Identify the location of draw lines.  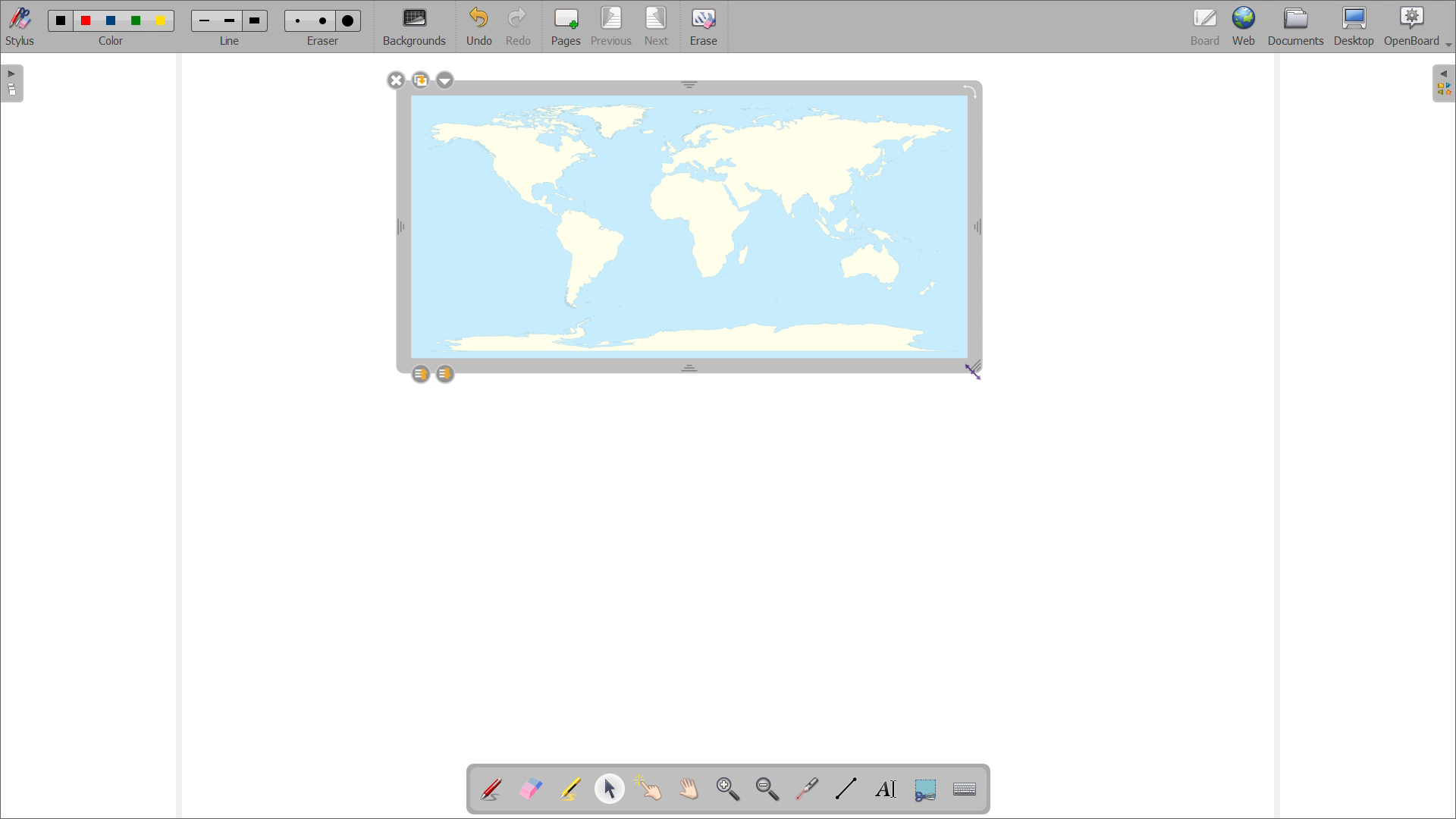
(847, 789).